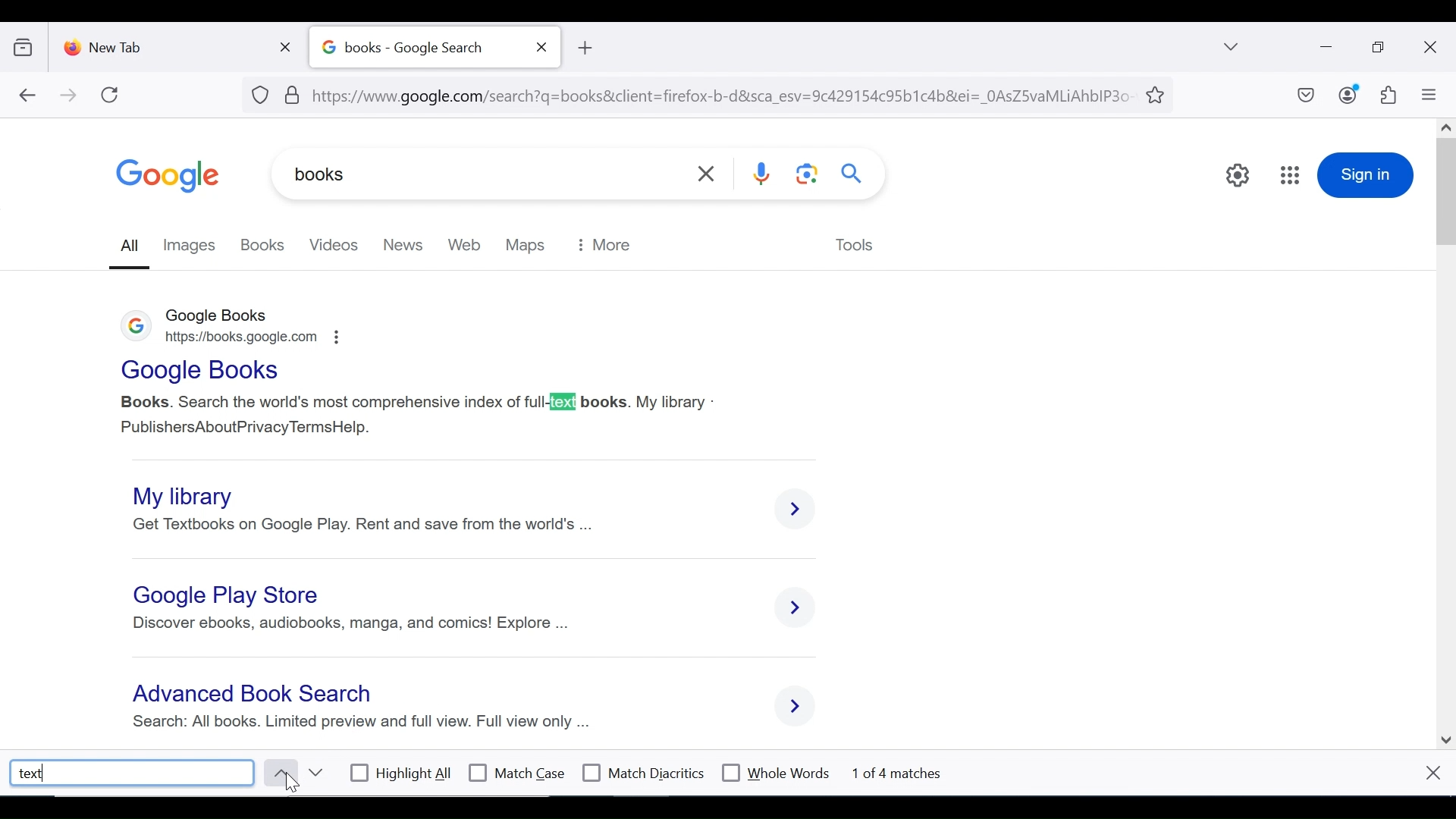 This screenshot has width=1456, height=819. Describe the element at coordinates (1443, 428) in the screenshot. I see `scroll bar` at that location.